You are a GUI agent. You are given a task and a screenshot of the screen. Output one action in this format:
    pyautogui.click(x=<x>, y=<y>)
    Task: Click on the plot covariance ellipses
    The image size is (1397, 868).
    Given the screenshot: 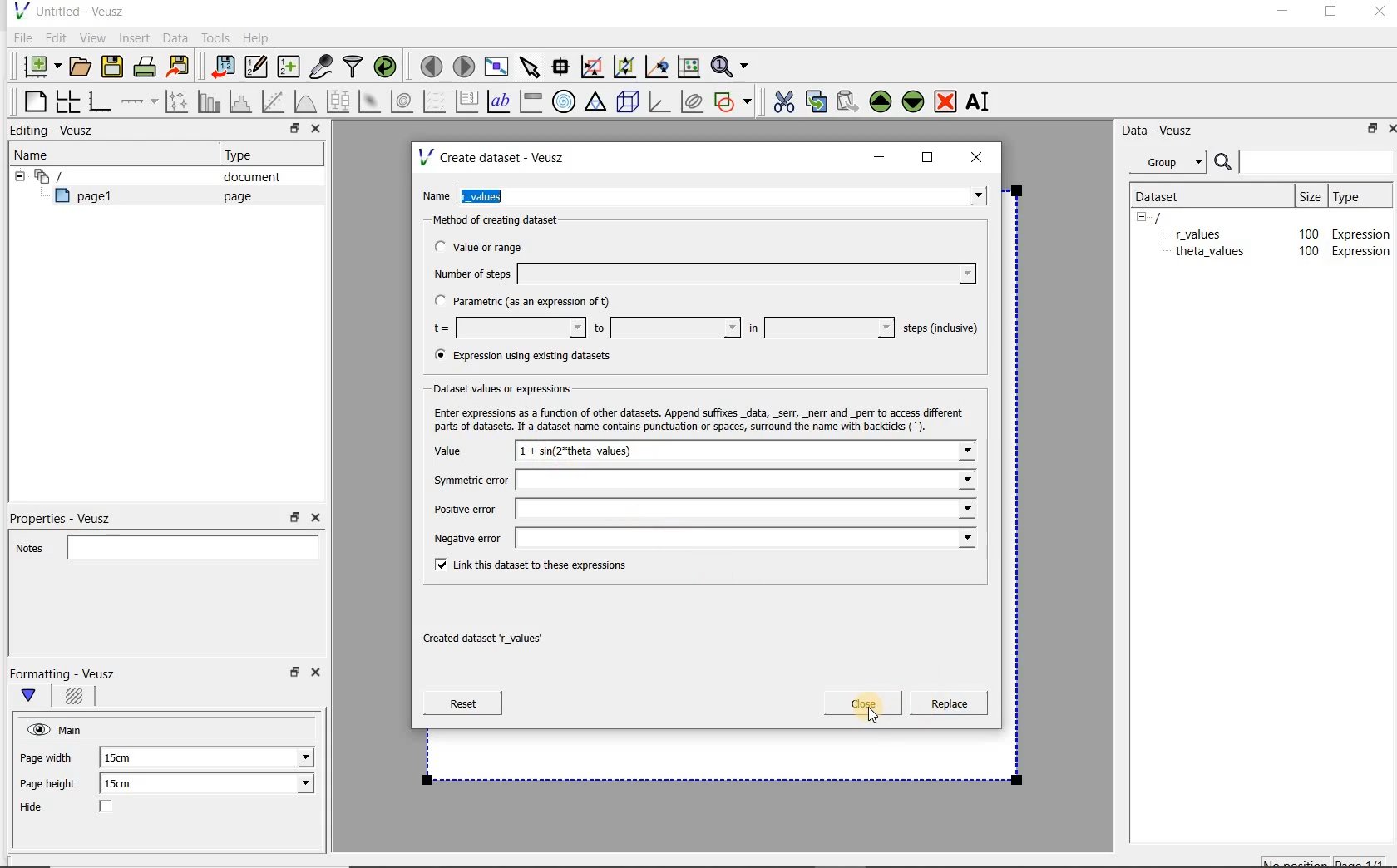 What is the action you would take?
    pyautogui.click(x=693, y=101)
    